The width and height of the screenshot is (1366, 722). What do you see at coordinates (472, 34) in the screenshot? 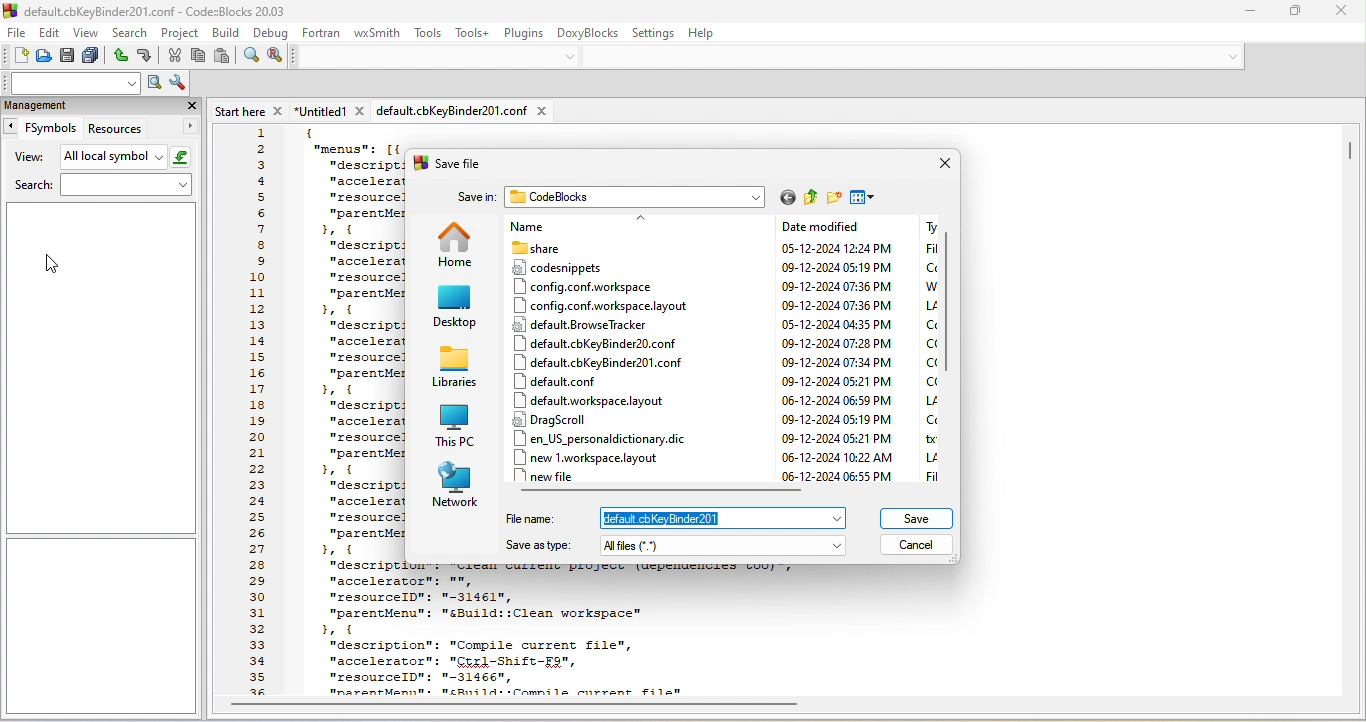
I see `tools+` at bounding box center [472, 34].